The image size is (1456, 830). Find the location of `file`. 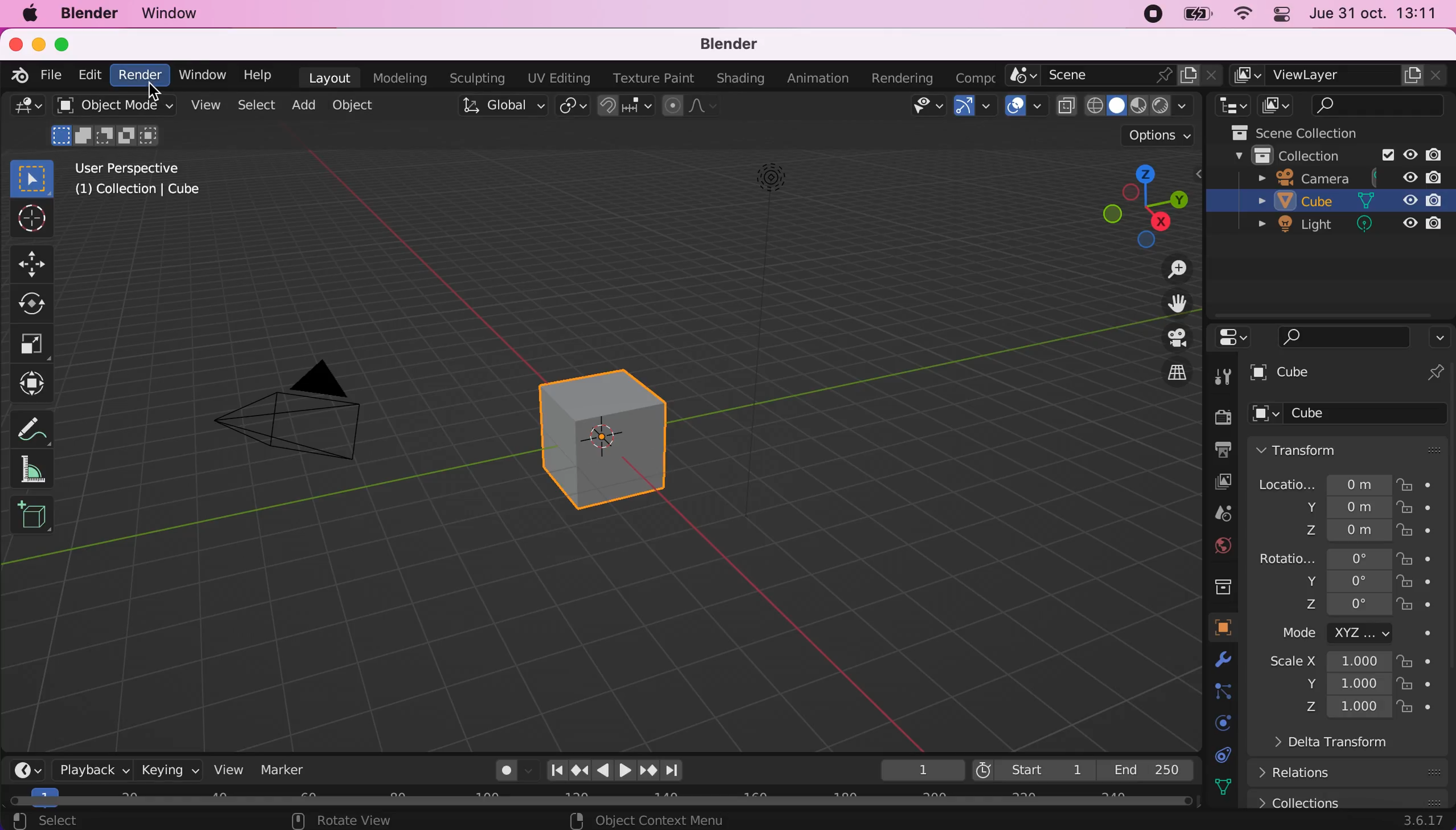

file is located at coordinates (49, 74).